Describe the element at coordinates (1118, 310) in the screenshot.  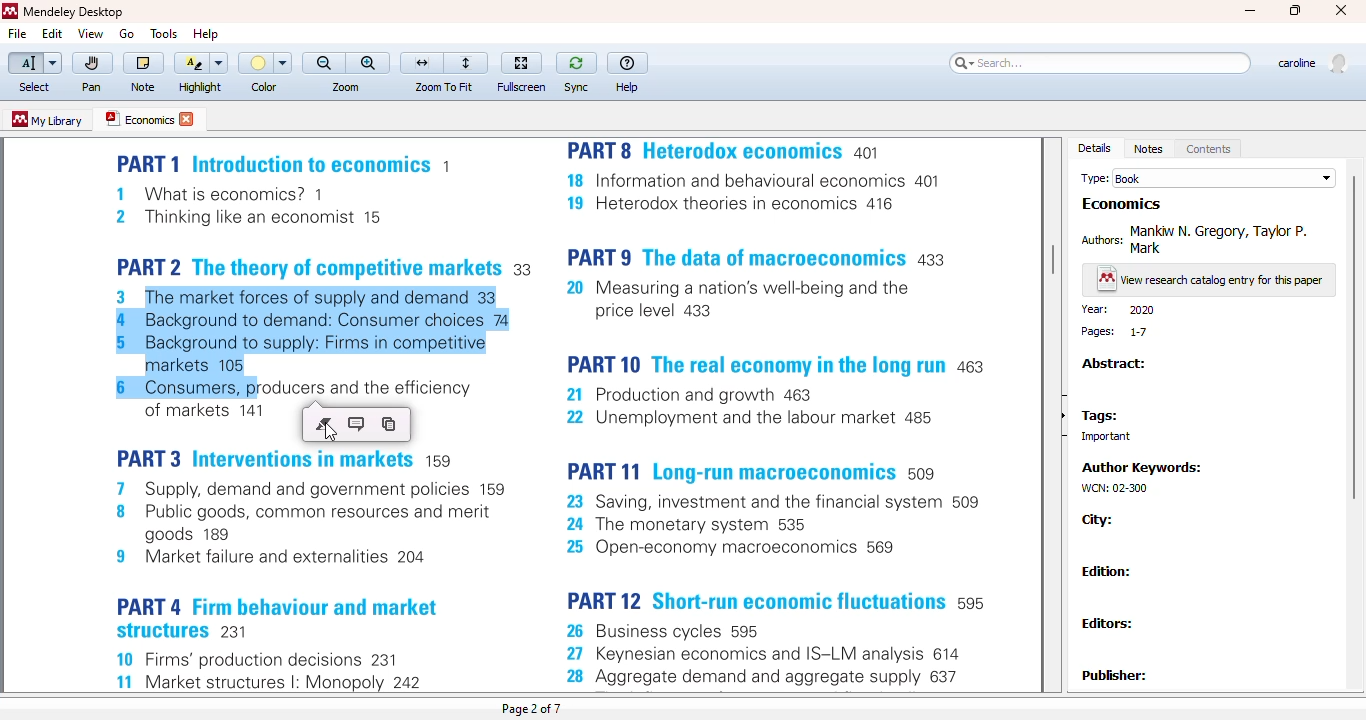
I see `year: 2020` at that location.